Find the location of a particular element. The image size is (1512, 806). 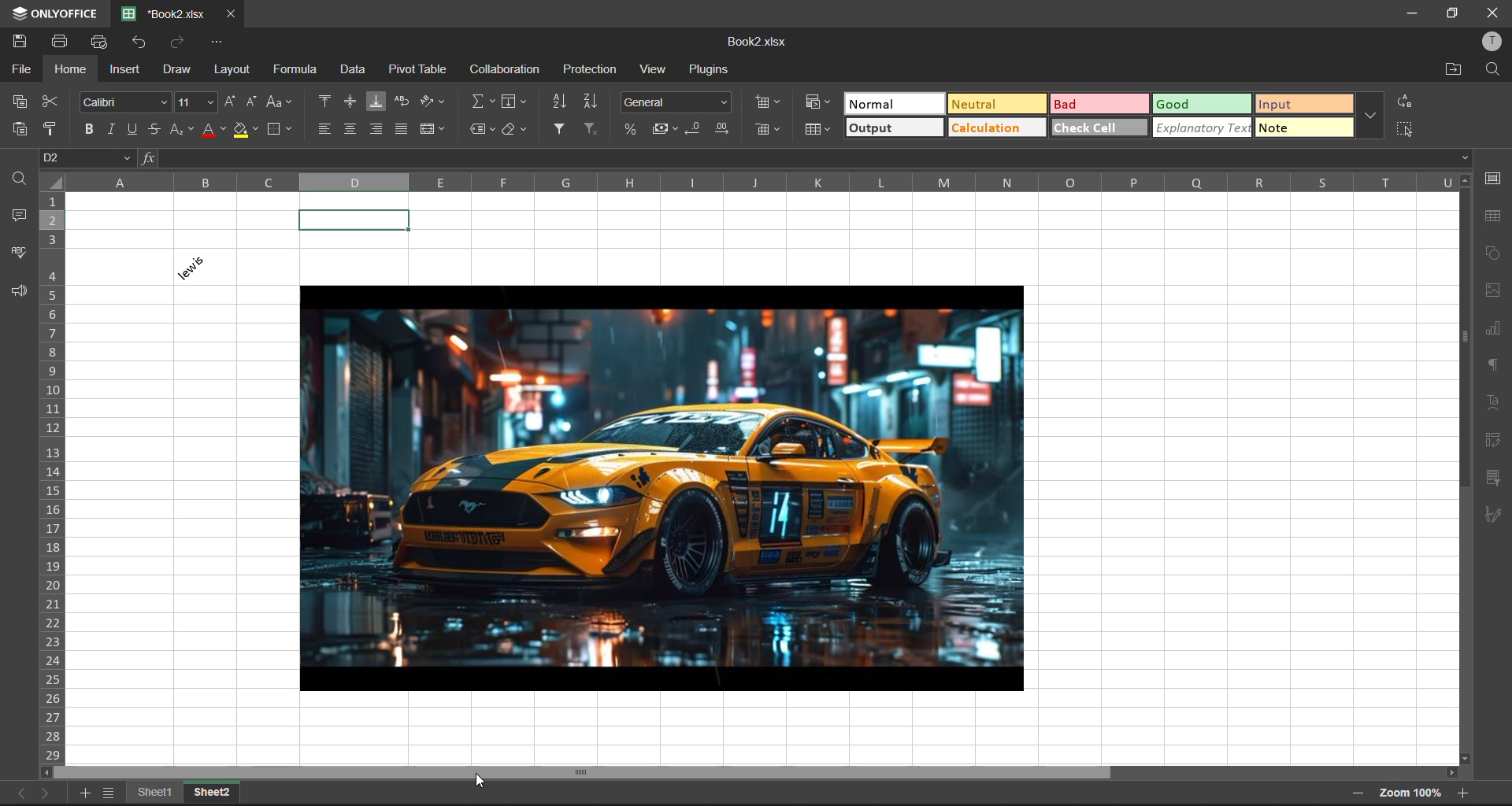

feedback is located at coordinates (18, 291).